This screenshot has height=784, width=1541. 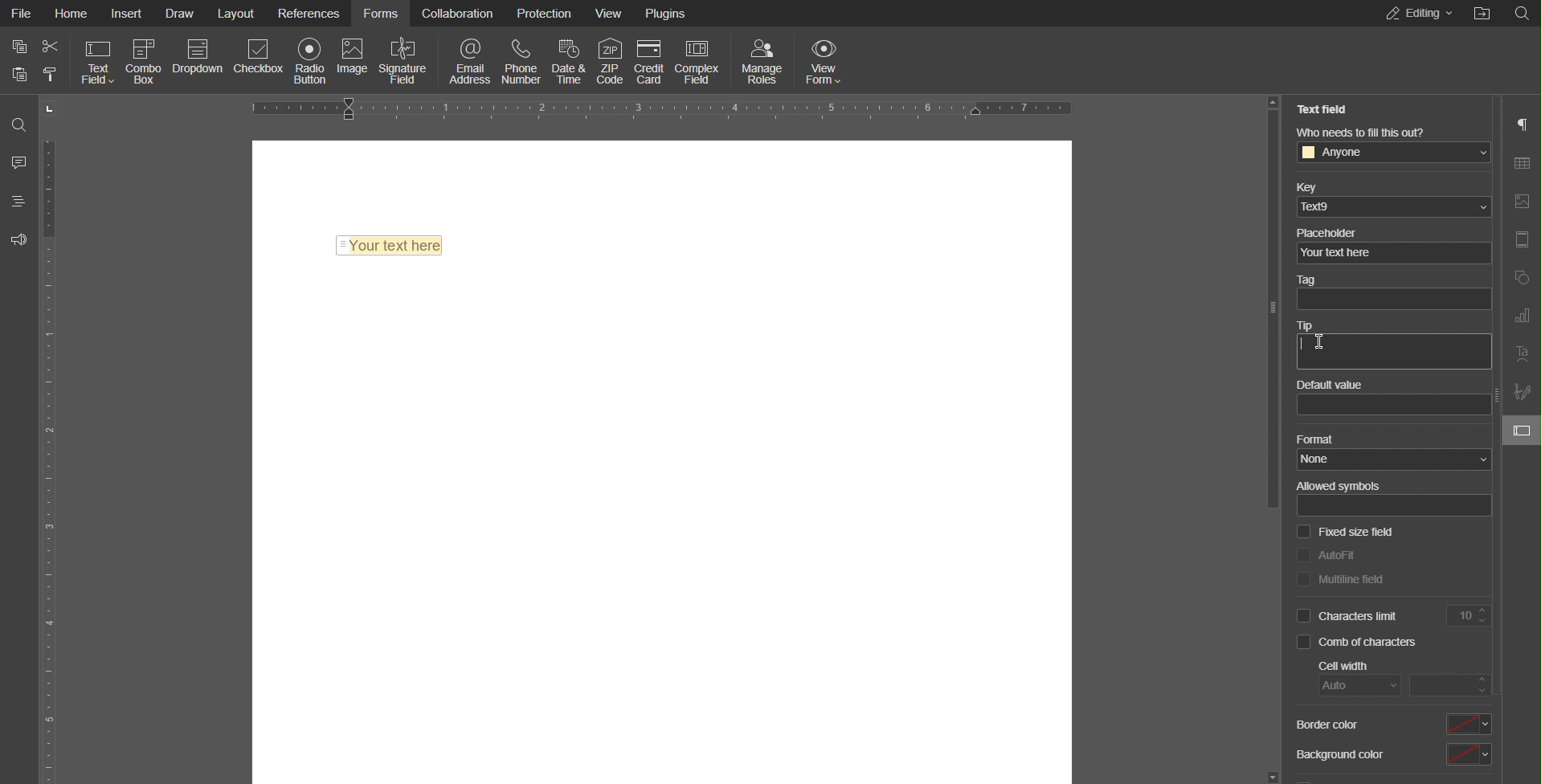 I want to click on Header and Footer, so click(x=1522, y=241).